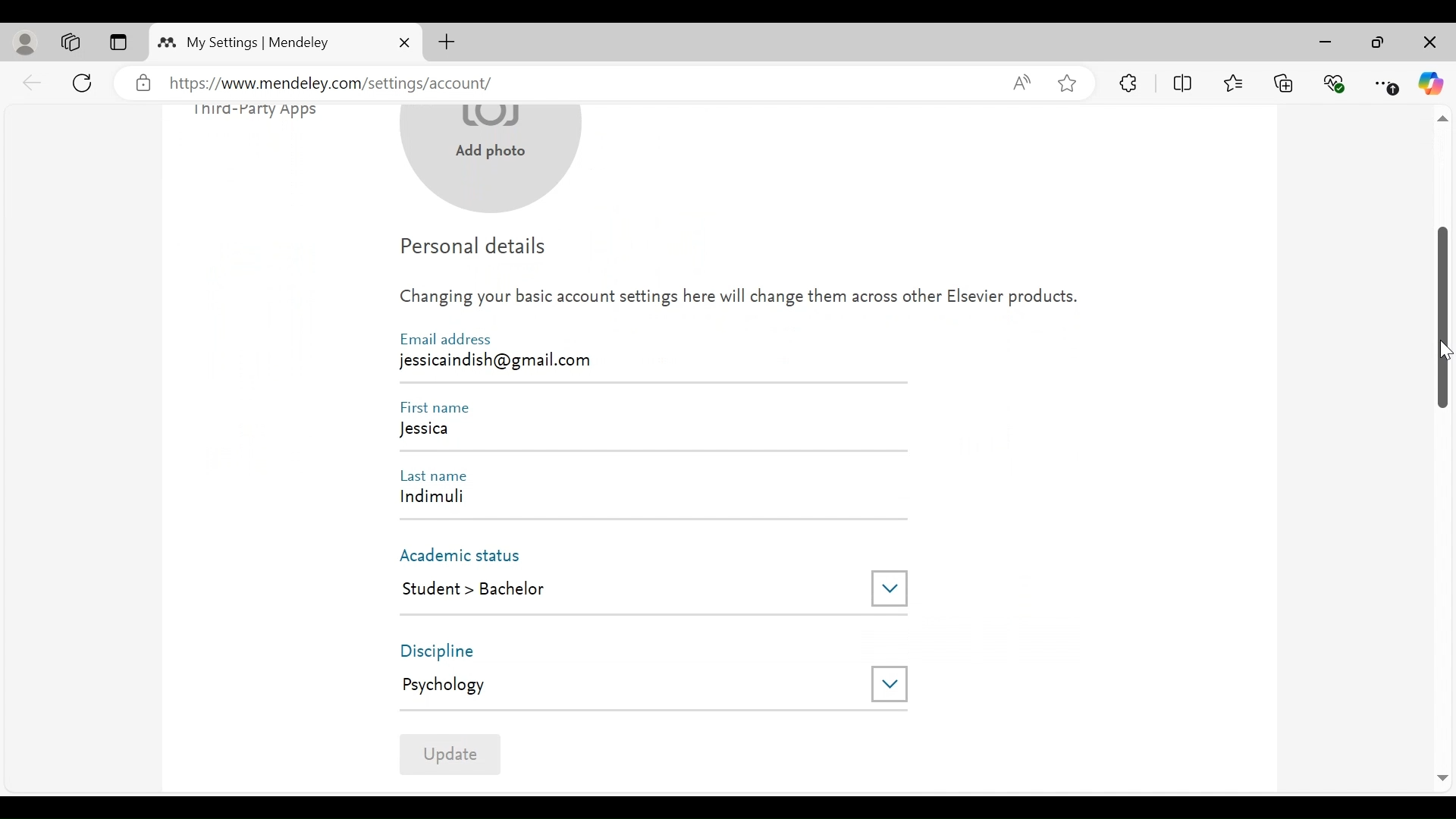 The image size is (1456, 819). I want to click on Jessica, so click(650, 432).